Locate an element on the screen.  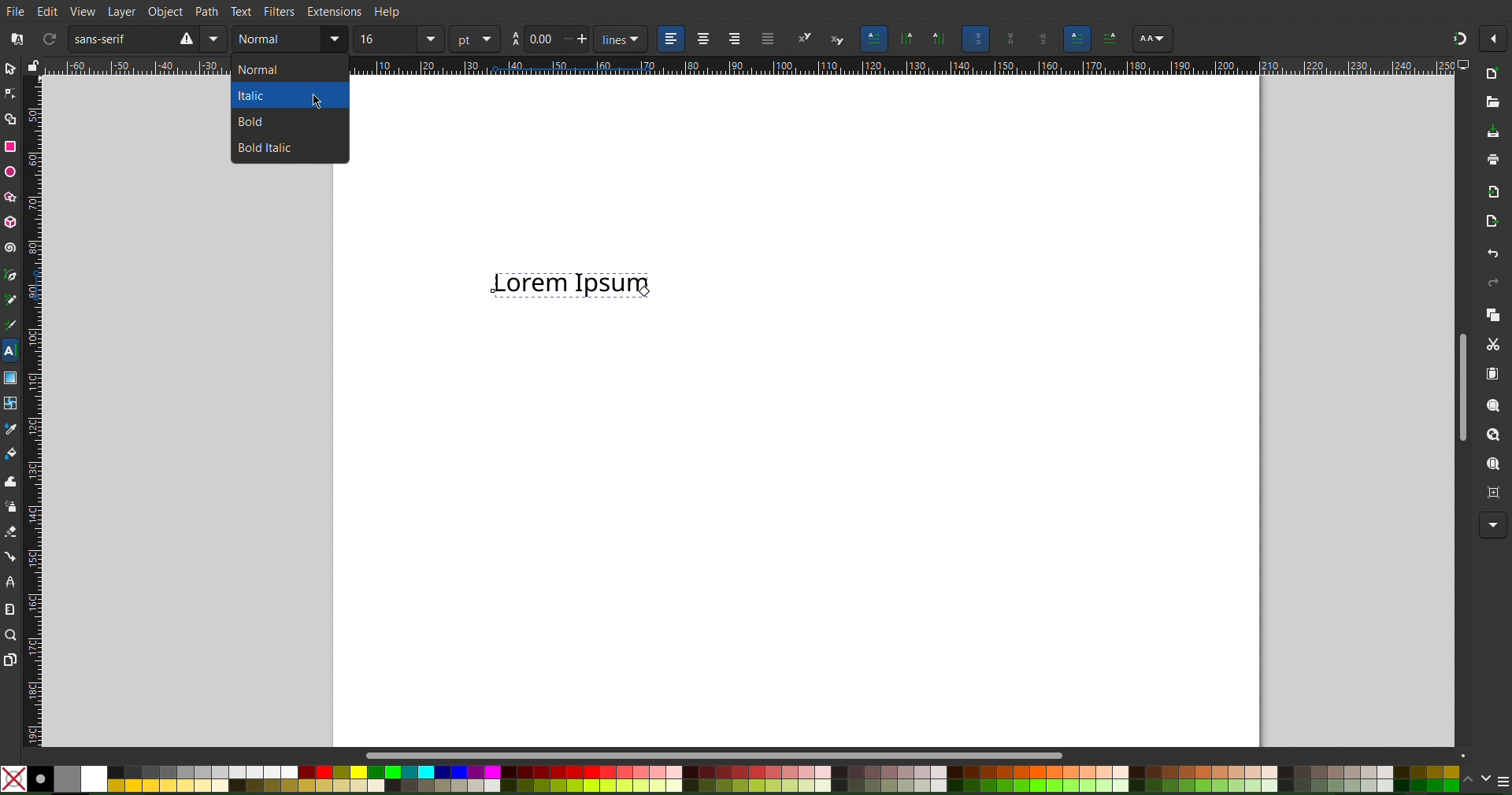
Measure is located at coordinates (9, 610).